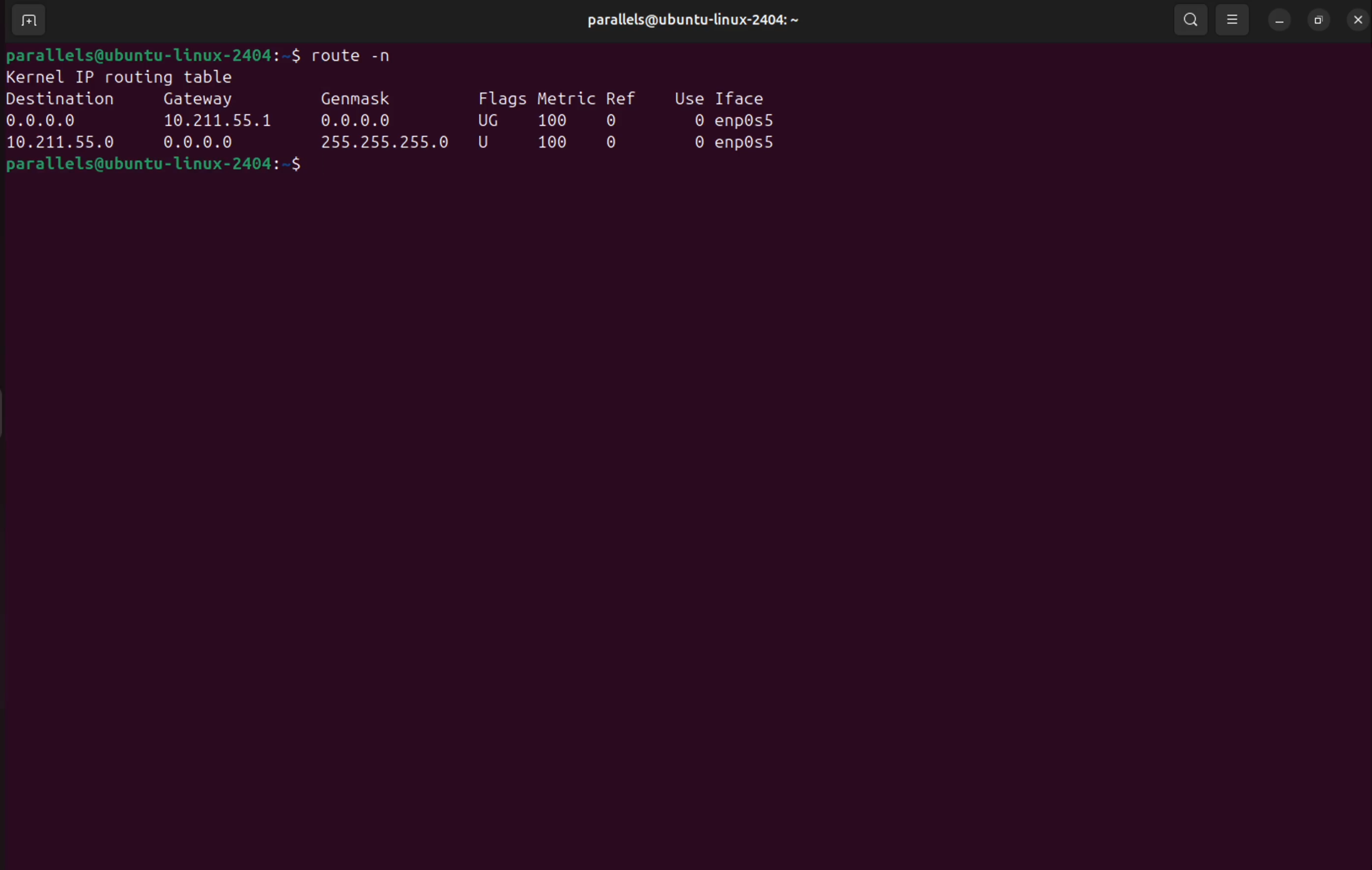  Describe the element at coordinates (160, 167) in the screenshot. I see `bash prompt` at that location.